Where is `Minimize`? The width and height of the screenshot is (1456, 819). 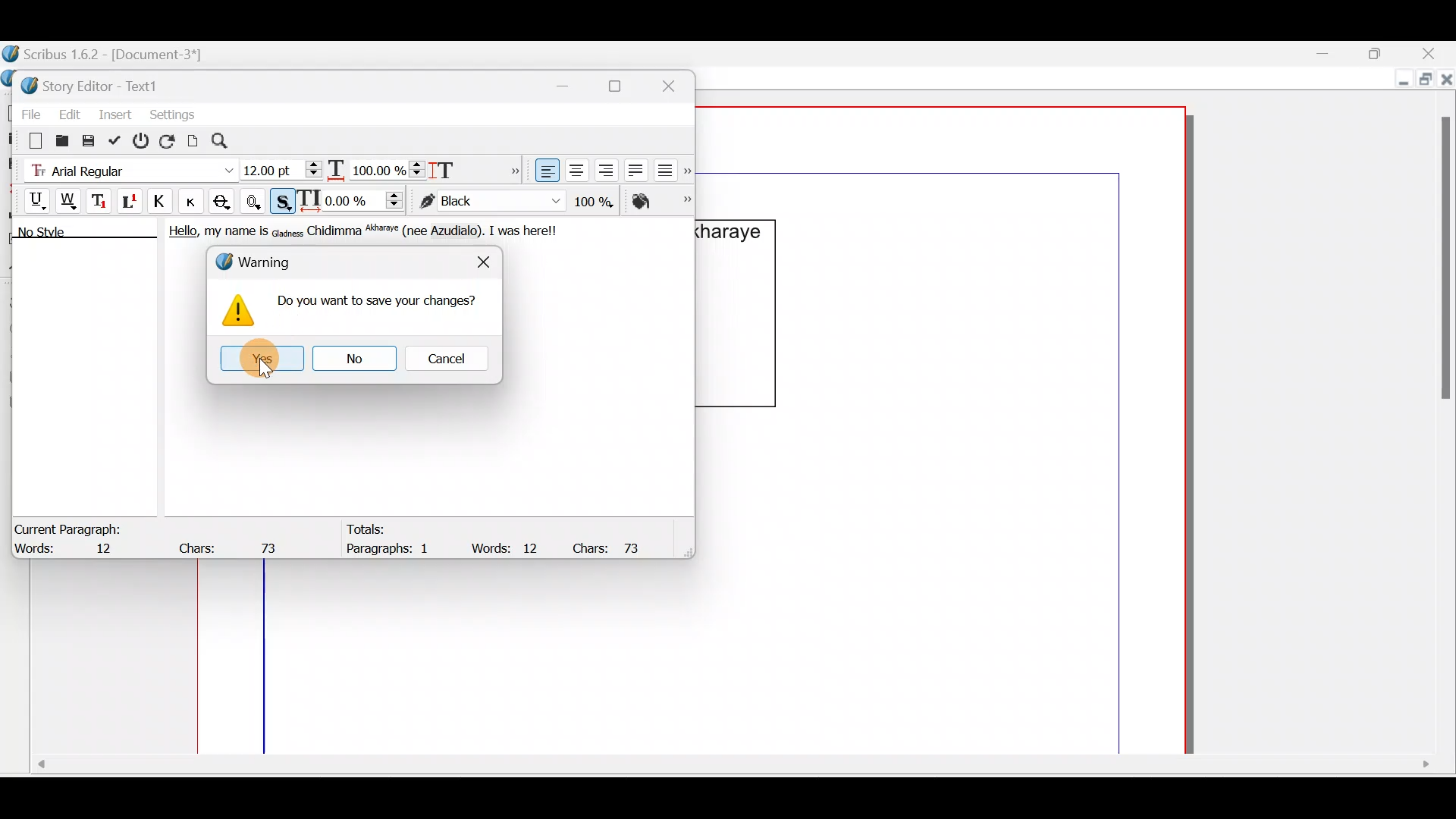 Minimize is located at coordinates (571, 83).